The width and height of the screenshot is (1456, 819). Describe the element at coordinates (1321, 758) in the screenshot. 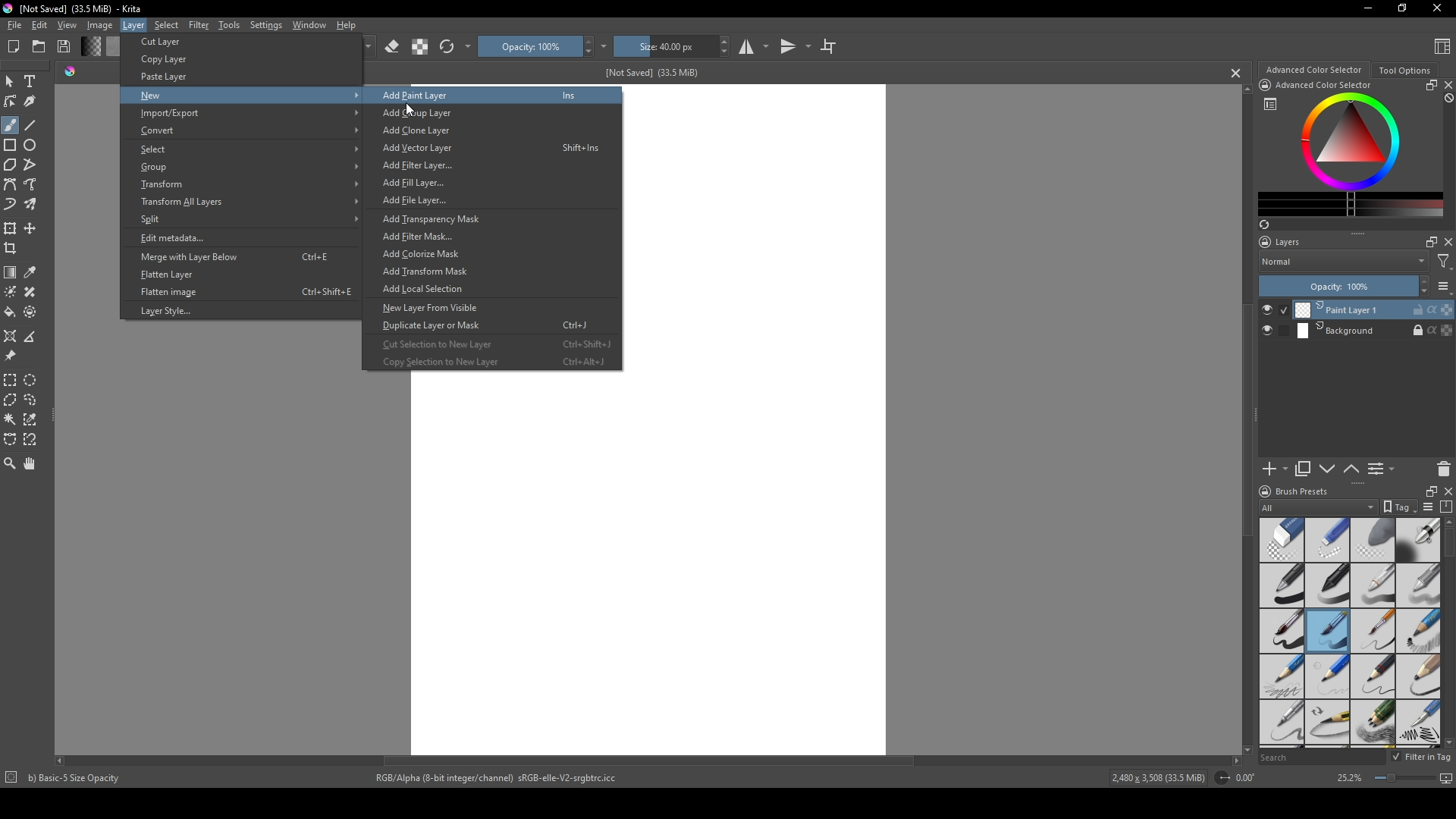

I see `Search` at that location.